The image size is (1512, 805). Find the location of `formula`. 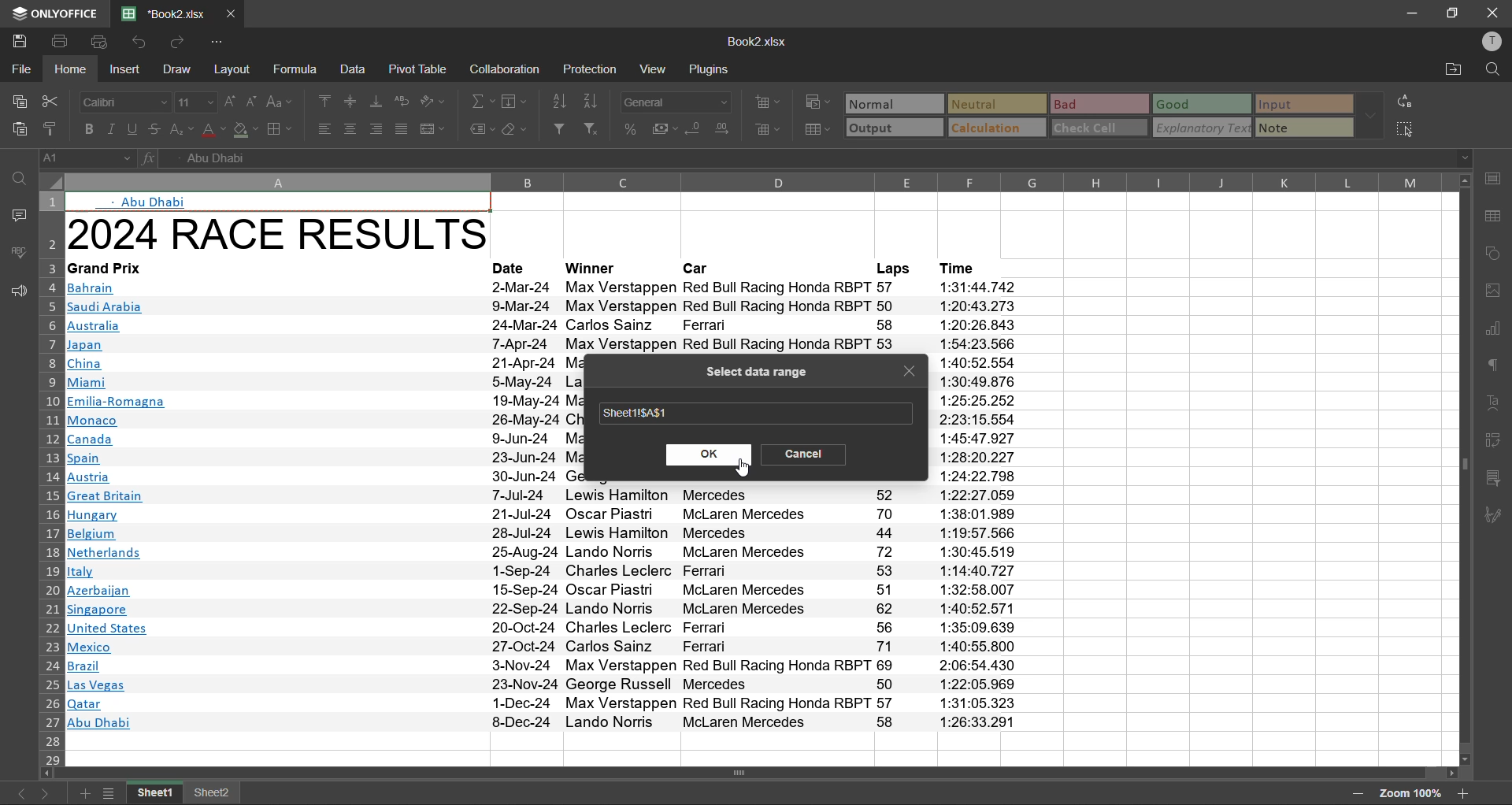

formula is located at coordinates (298, 71).